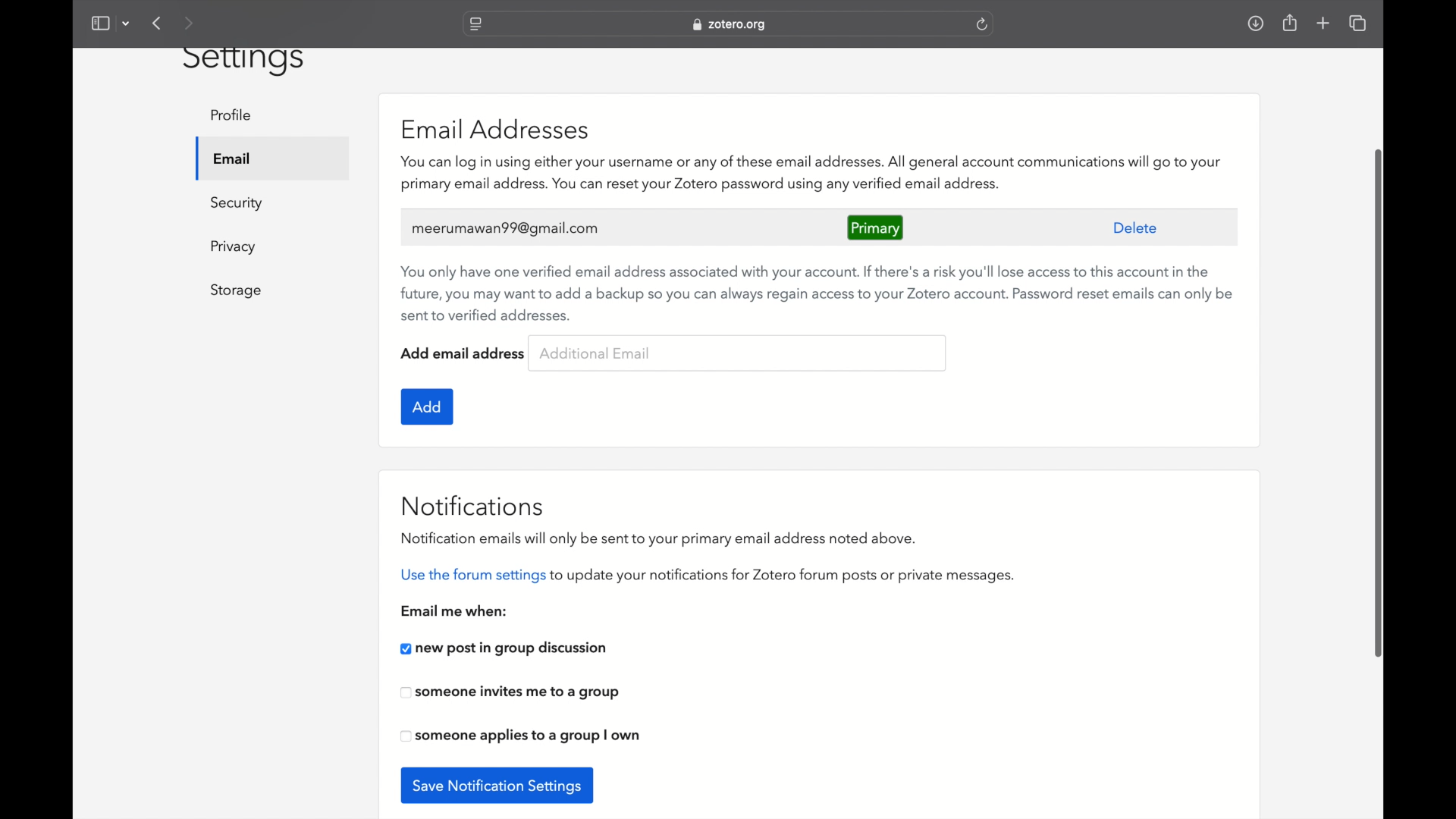 The height and width of the screenshot is (819, 1456). Describe the element at coordinates (593, 353) in the screenshot. I see `additional email` at that location.